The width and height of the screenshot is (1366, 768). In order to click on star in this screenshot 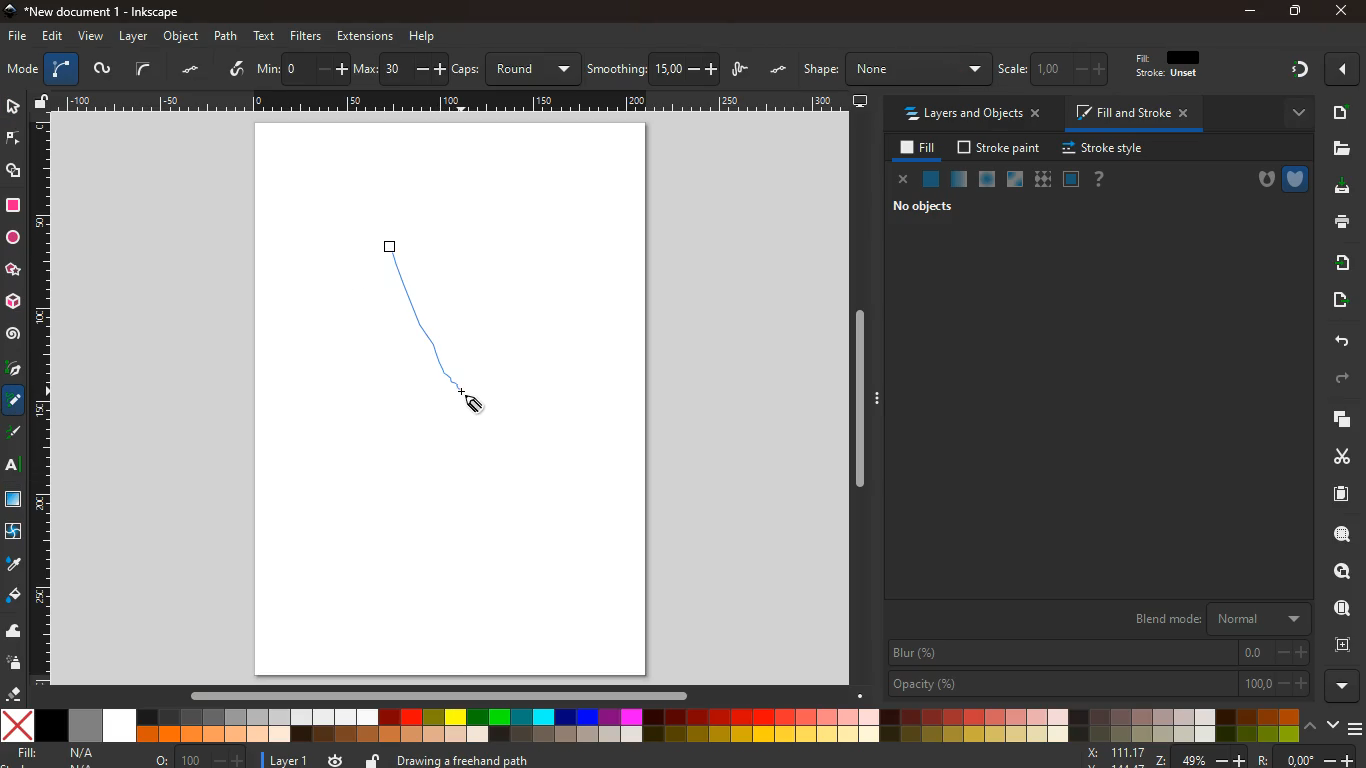, I will do `click(13, 271)`.